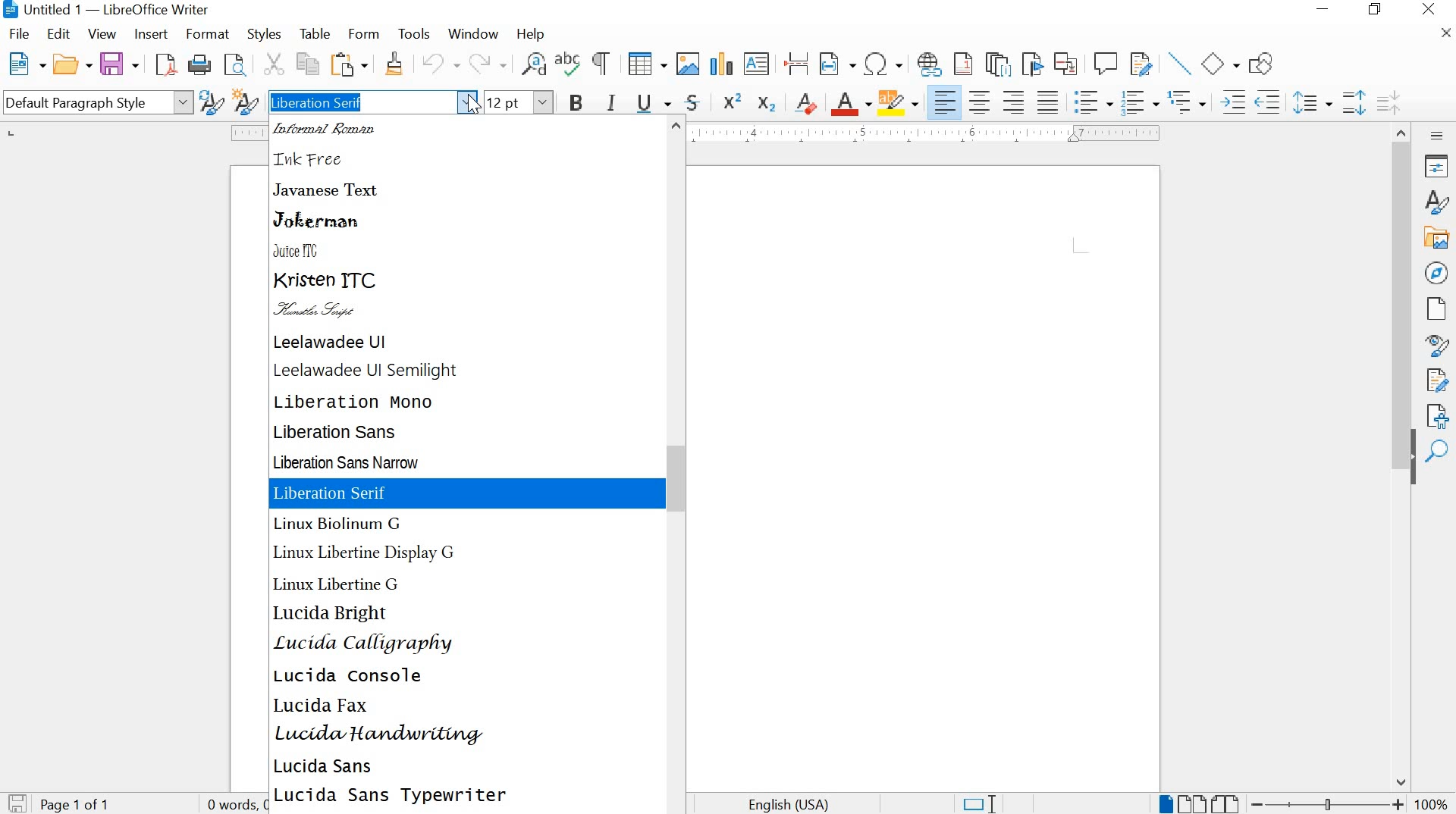 Image resolution: width=1456 pixels, height=814 pixels. I want to click on UNDERLINE, so click(654, 104).